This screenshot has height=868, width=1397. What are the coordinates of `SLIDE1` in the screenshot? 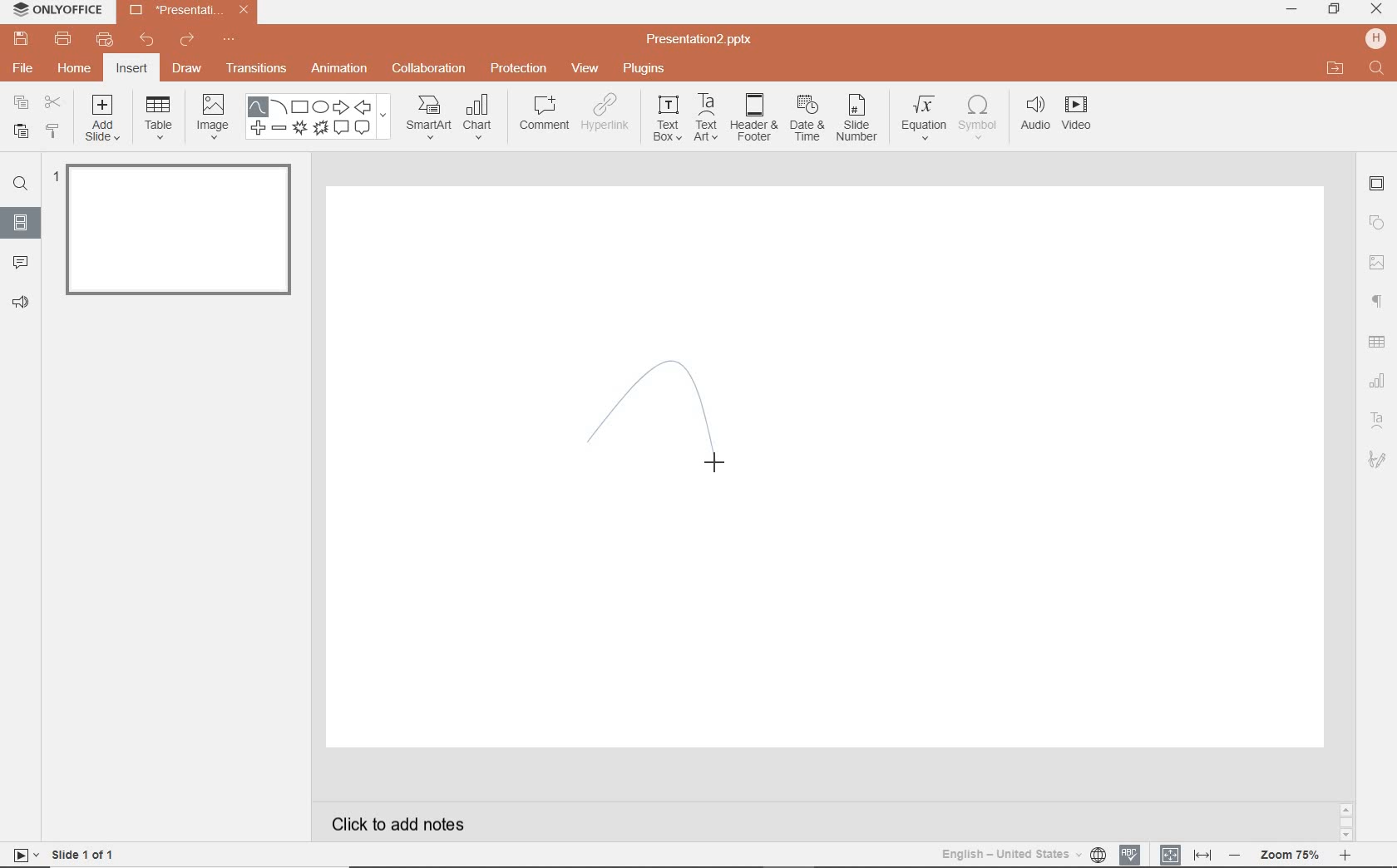 It's located at (175, 235).